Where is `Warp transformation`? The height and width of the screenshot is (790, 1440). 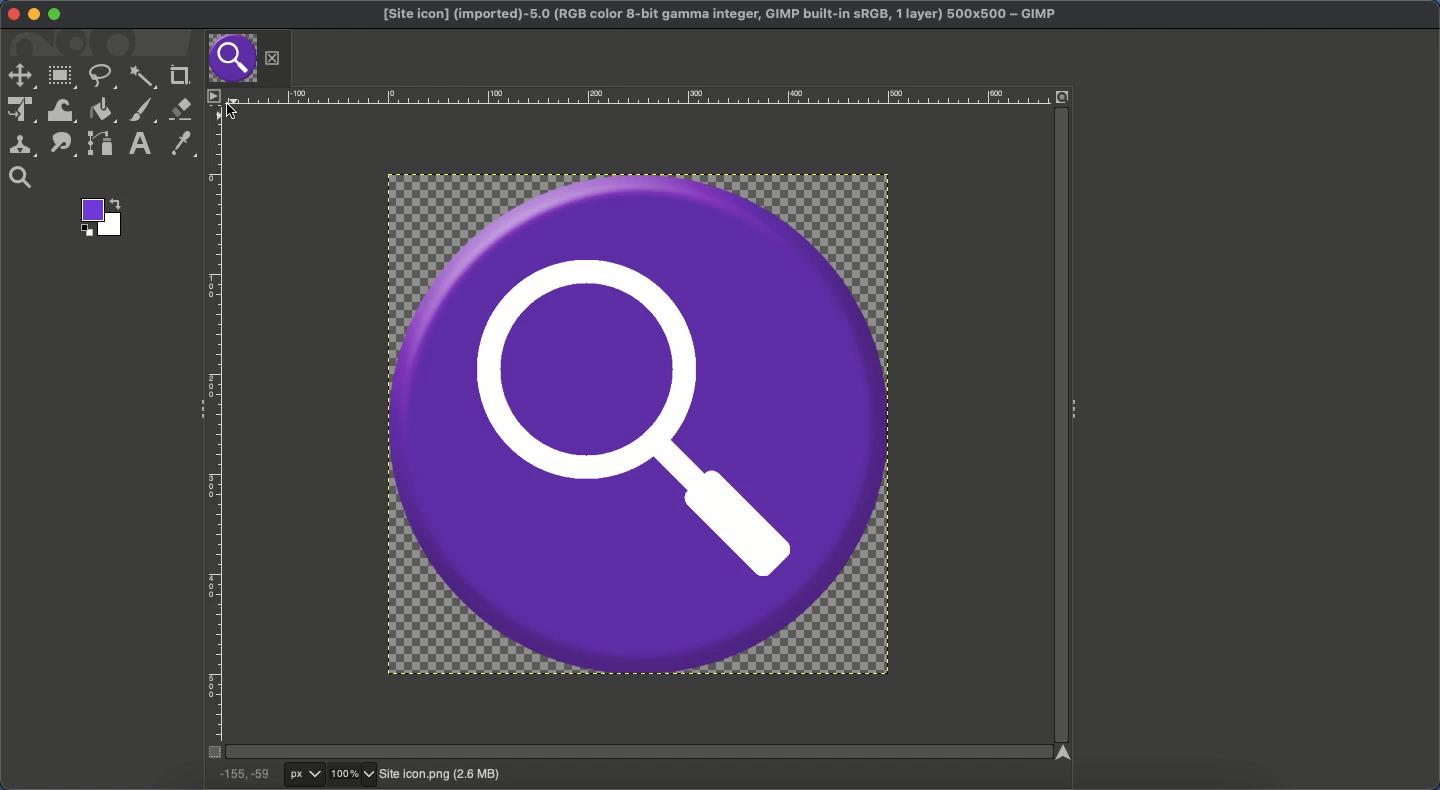 Warp transformation is located at coordinates (62, 110).